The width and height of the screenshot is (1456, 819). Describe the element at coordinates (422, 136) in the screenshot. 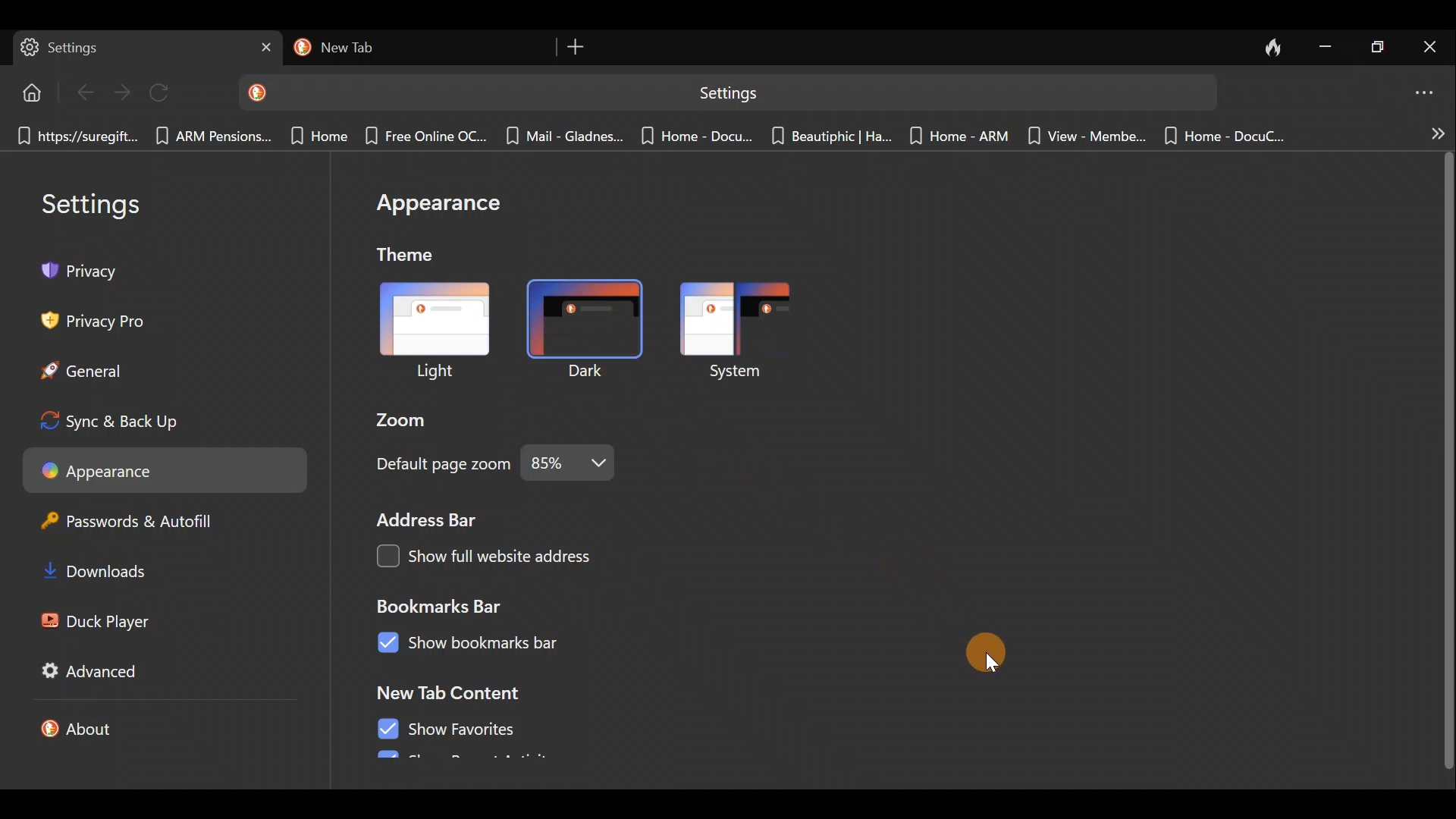

I see `Bookmark 4` at that location.